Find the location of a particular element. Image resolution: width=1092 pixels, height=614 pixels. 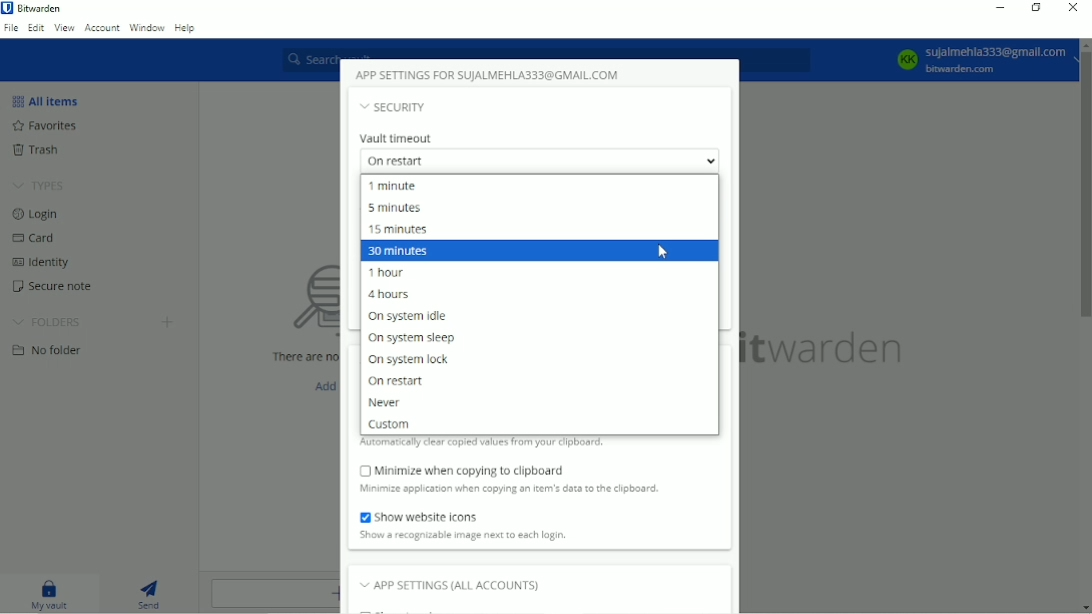

Vault timeout is located at coordinates (397, 139).